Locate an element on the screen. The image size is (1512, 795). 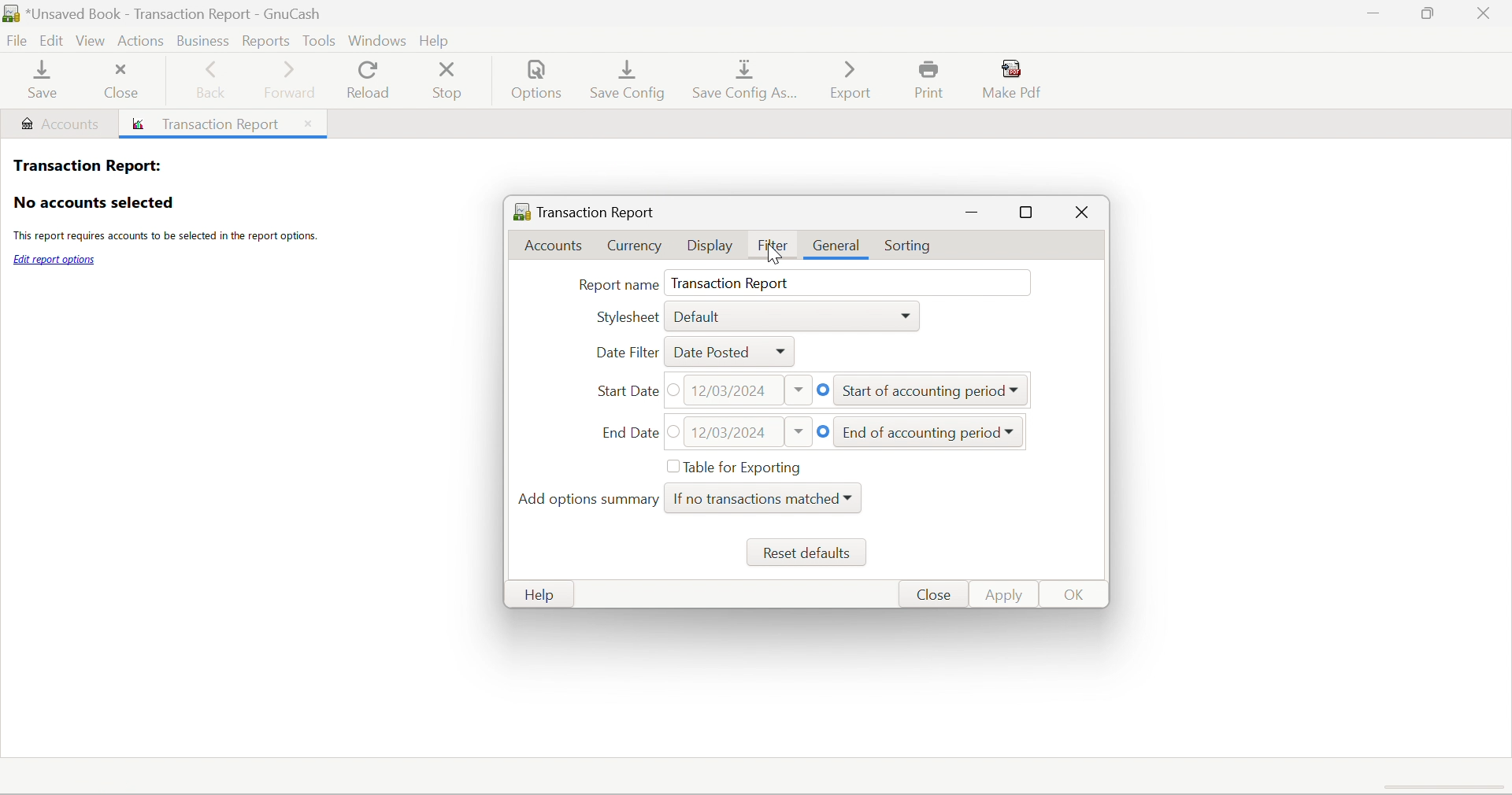
Date Filter is located at coordinates (624, 352).